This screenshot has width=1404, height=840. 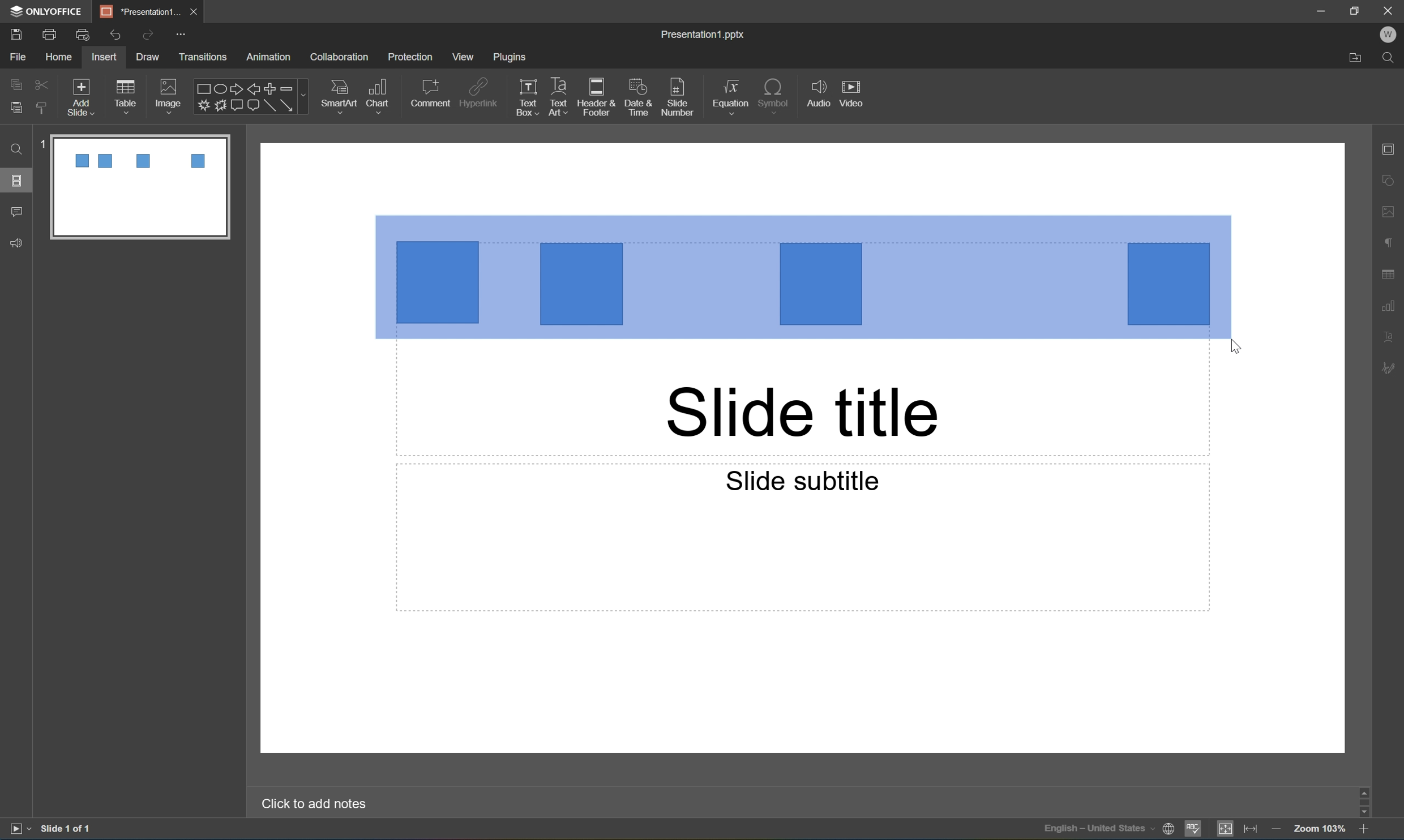 I want to click on W, so click(x=1392, y=35).